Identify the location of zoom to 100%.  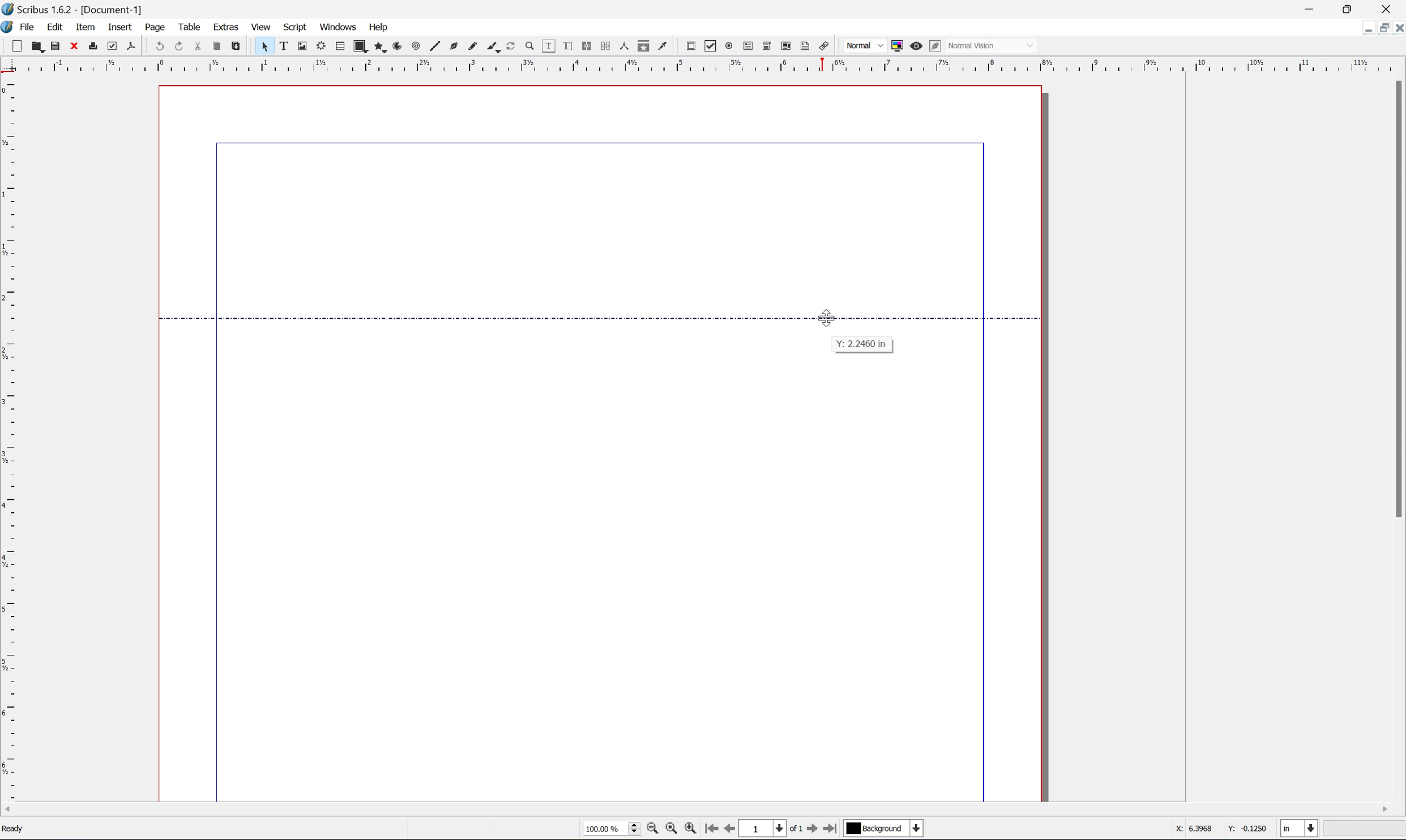
(672, 831).